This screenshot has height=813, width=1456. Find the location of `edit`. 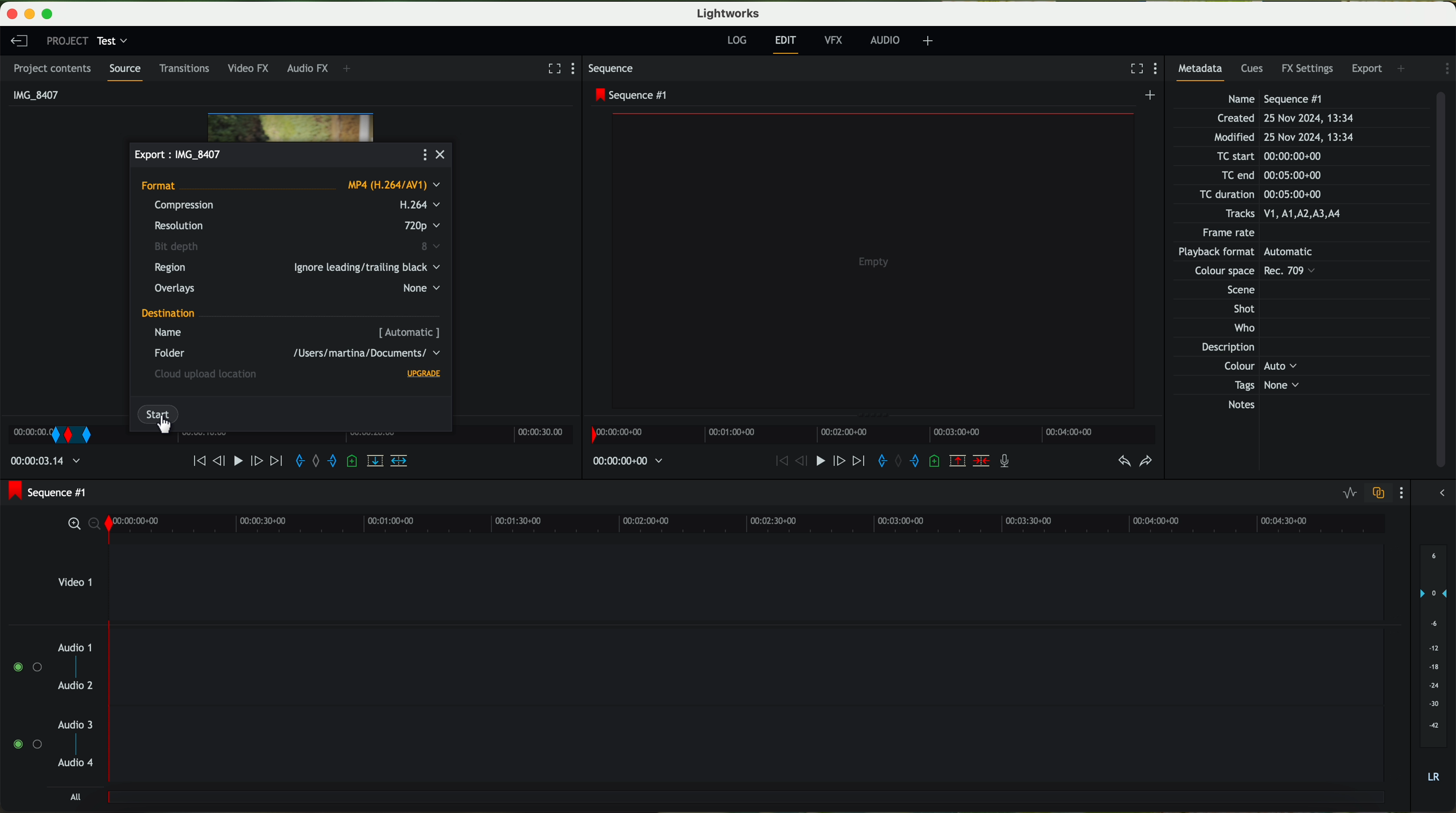

edit is located at coordinates (787, 44).